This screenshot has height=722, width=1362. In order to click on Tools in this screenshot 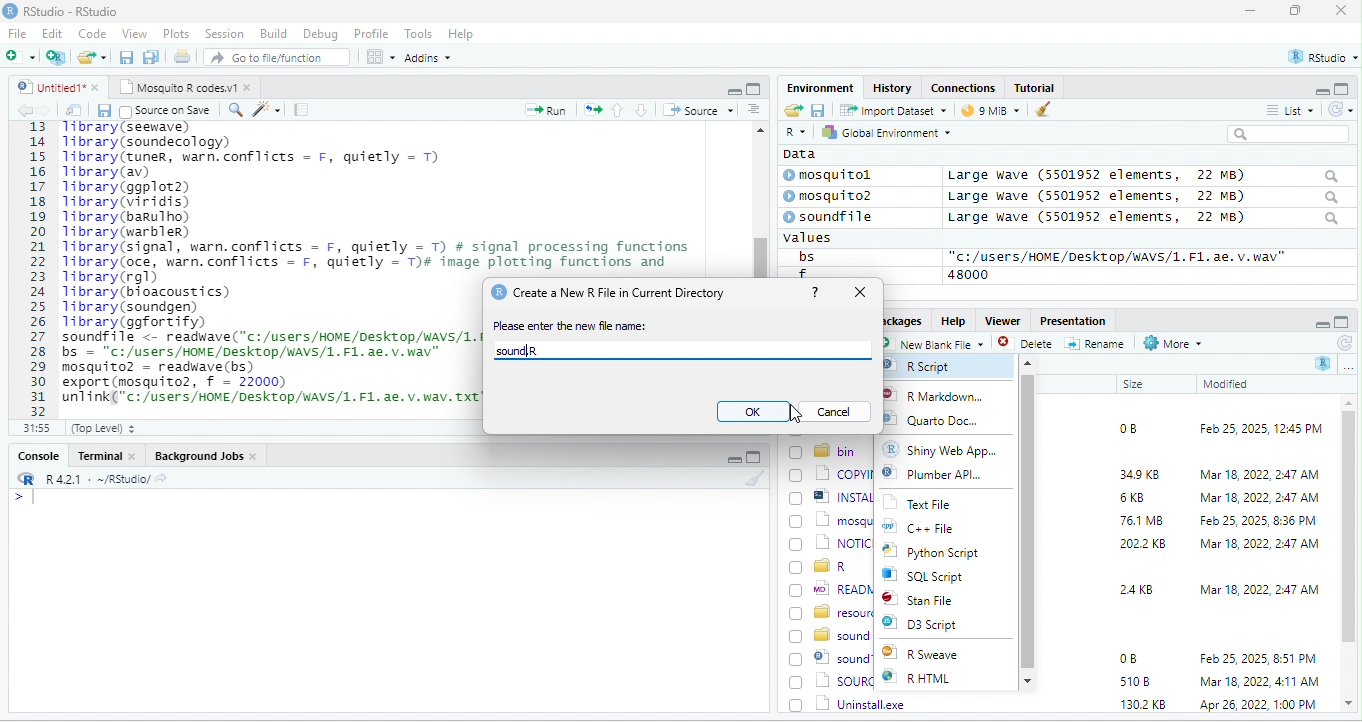, I will do `click(419, 33)`.